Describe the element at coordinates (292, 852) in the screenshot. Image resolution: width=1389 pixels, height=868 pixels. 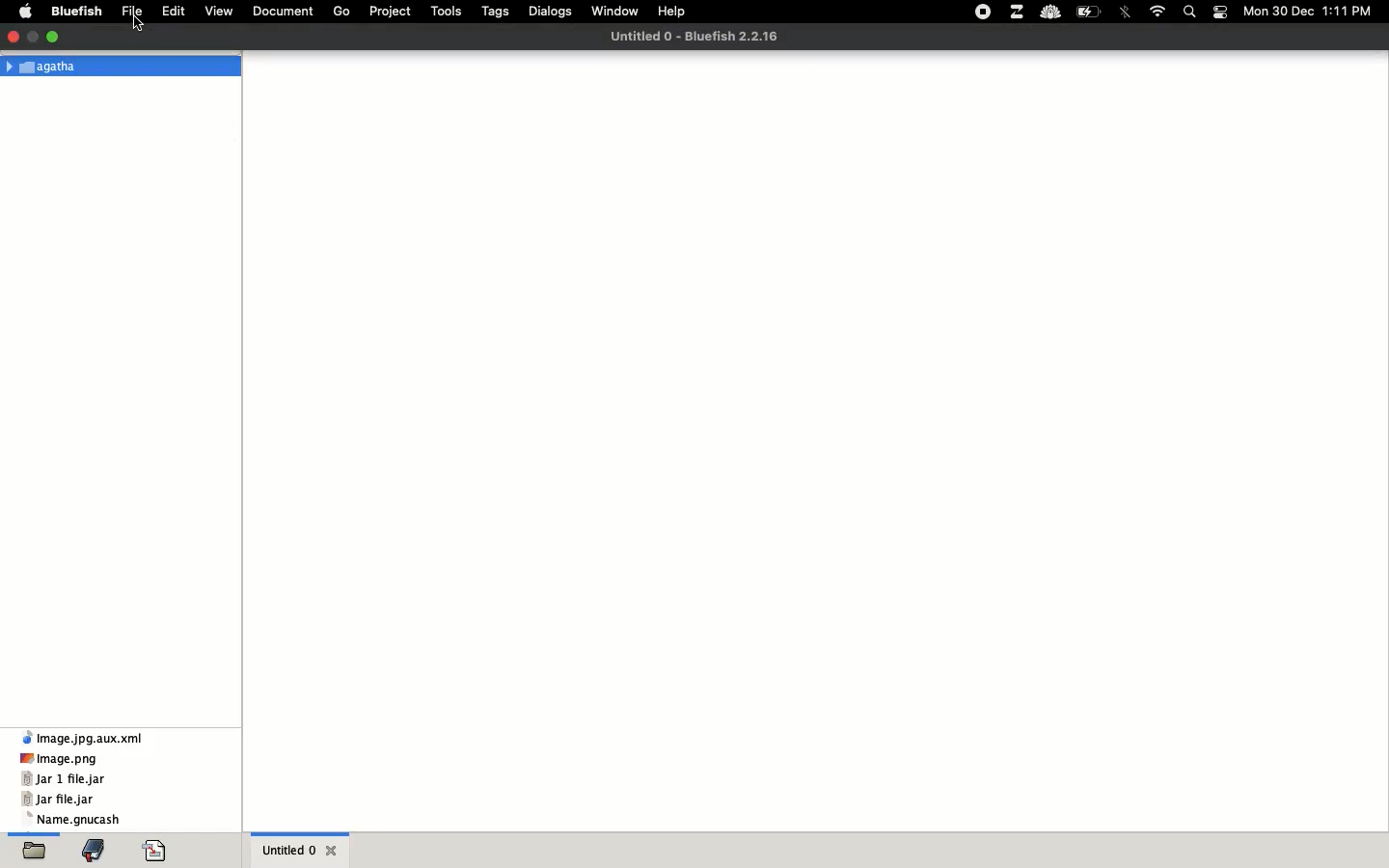
I see `untitled 0` at that location.